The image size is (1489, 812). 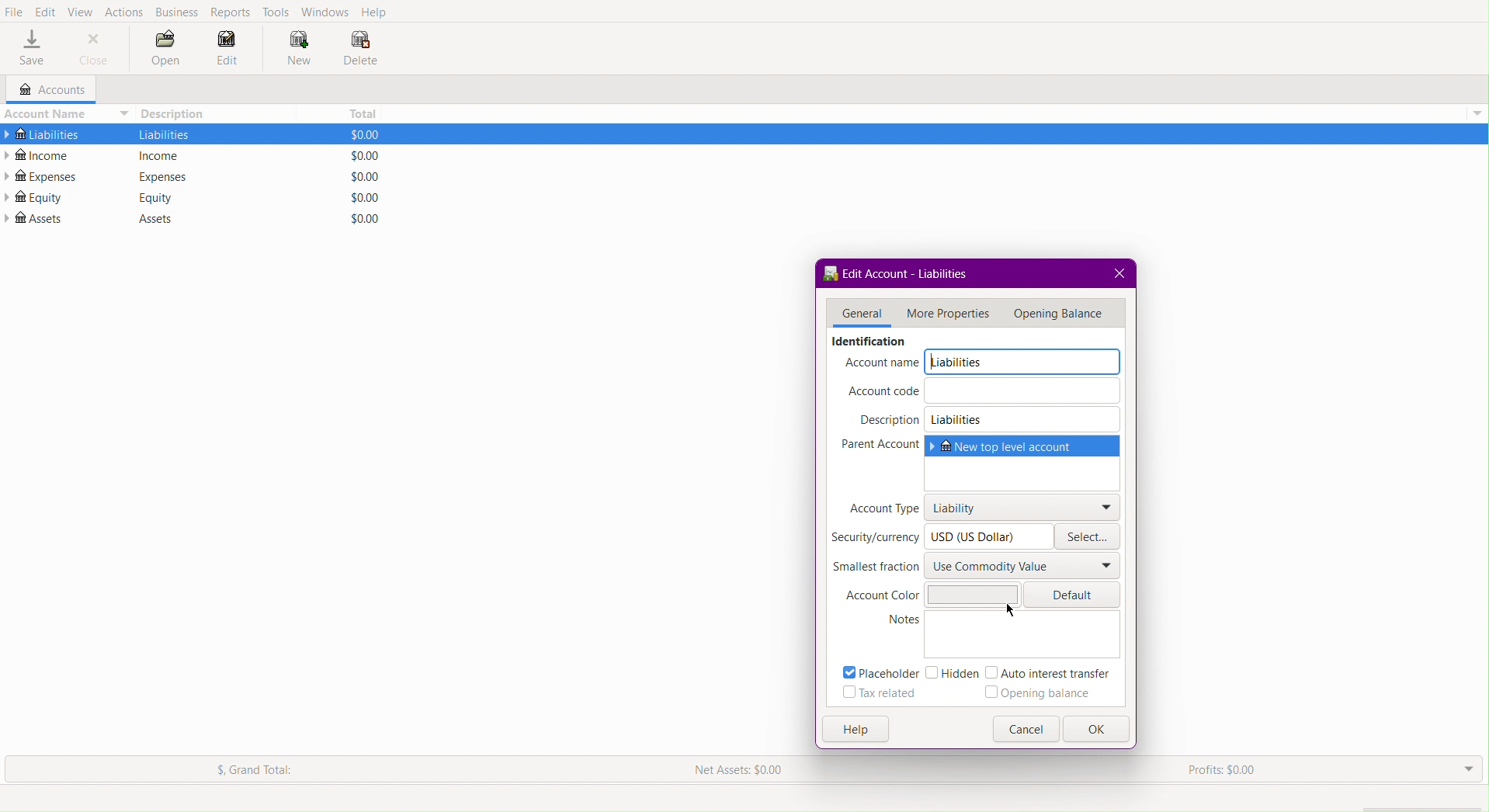 What do you see at coordinates (883, 390) in the screenshot?
I see `Account code` at bounding box center [883, 390].